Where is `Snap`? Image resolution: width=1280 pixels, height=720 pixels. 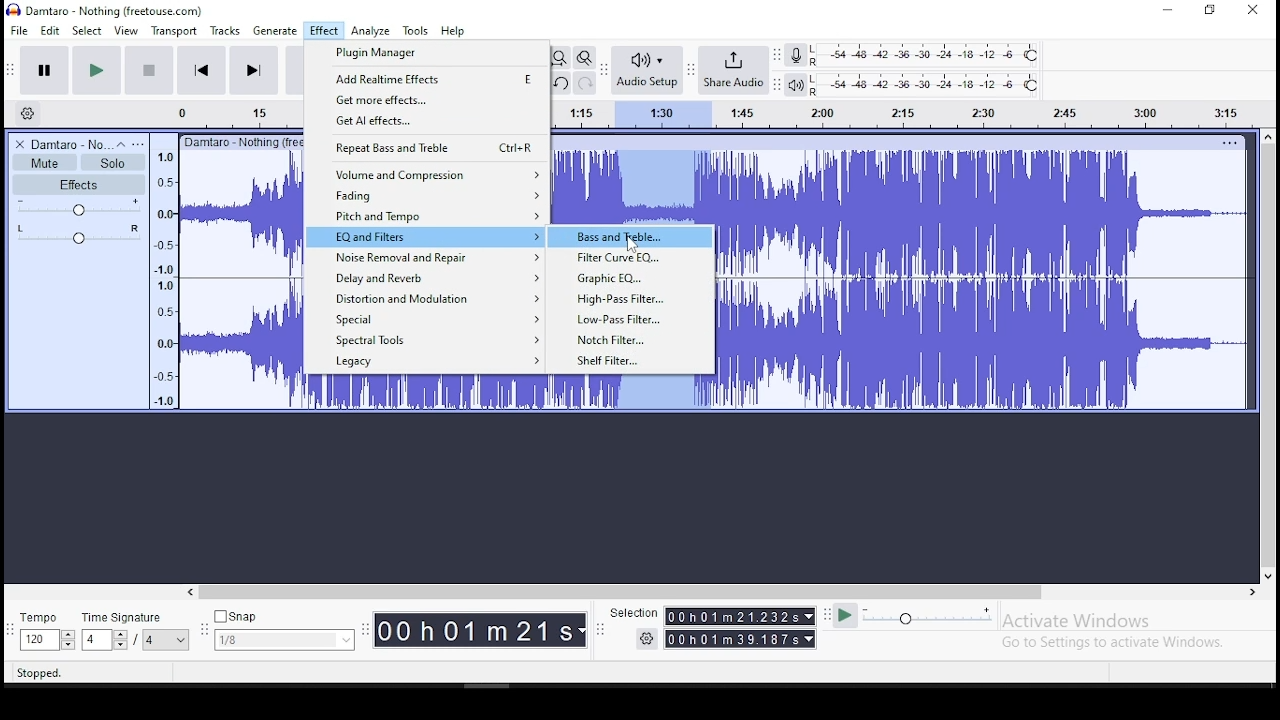
Snap is located at coordinates (284, 617).